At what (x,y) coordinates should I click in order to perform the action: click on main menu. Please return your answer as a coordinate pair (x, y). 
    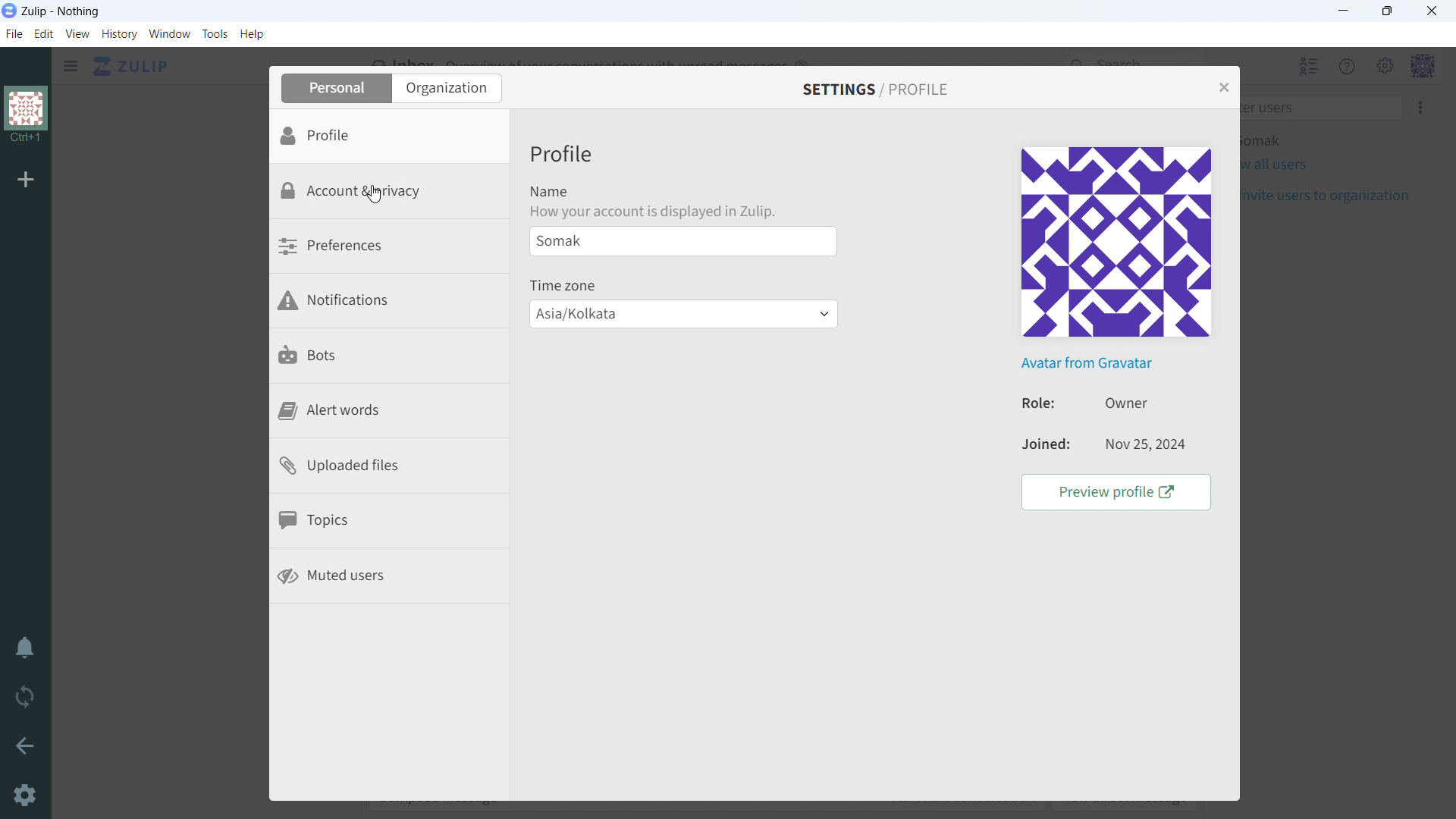
    Looking at the image, I should click on (1385, 67).